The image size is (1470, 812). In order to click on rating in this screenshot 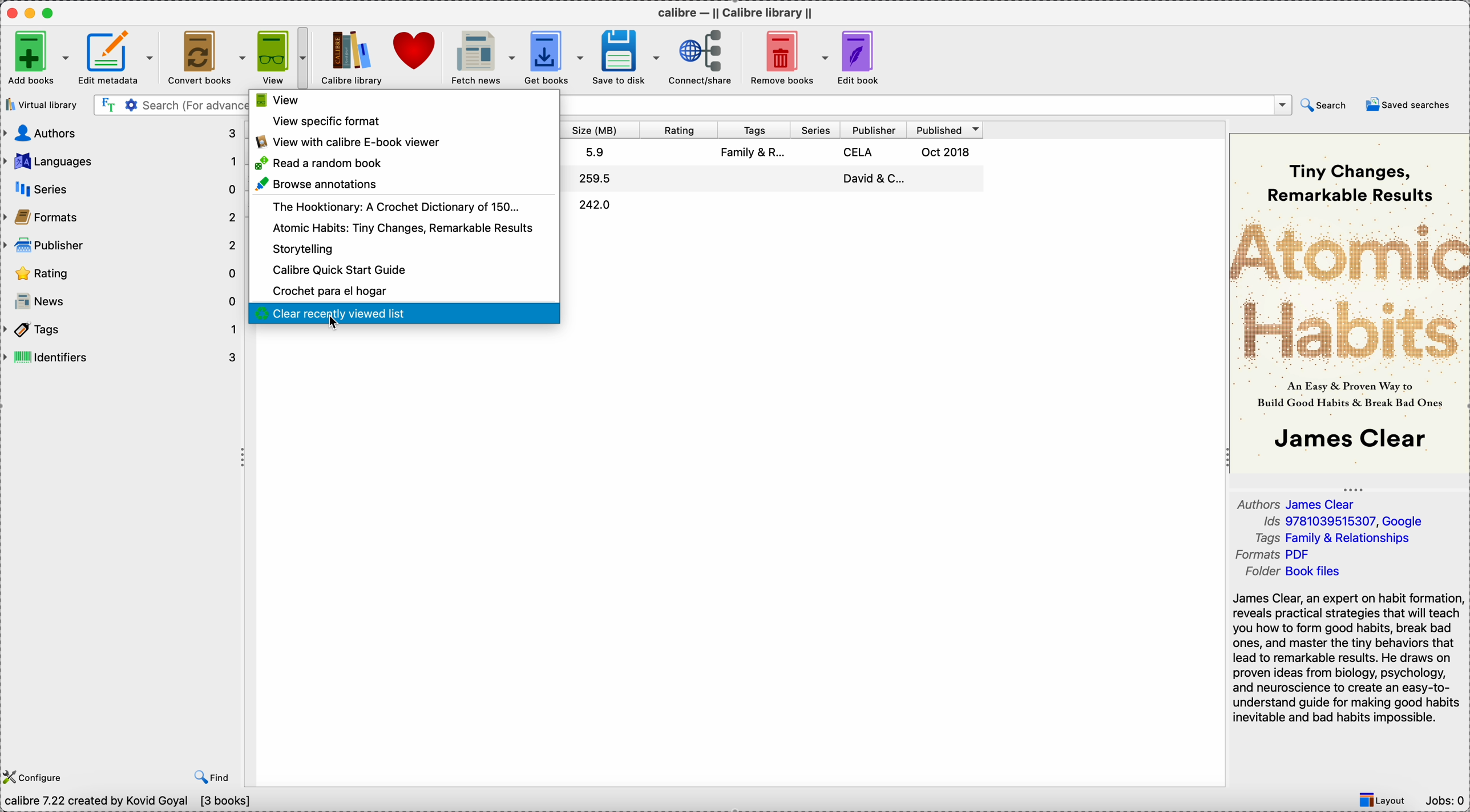, I will do `click(120, 272)`.